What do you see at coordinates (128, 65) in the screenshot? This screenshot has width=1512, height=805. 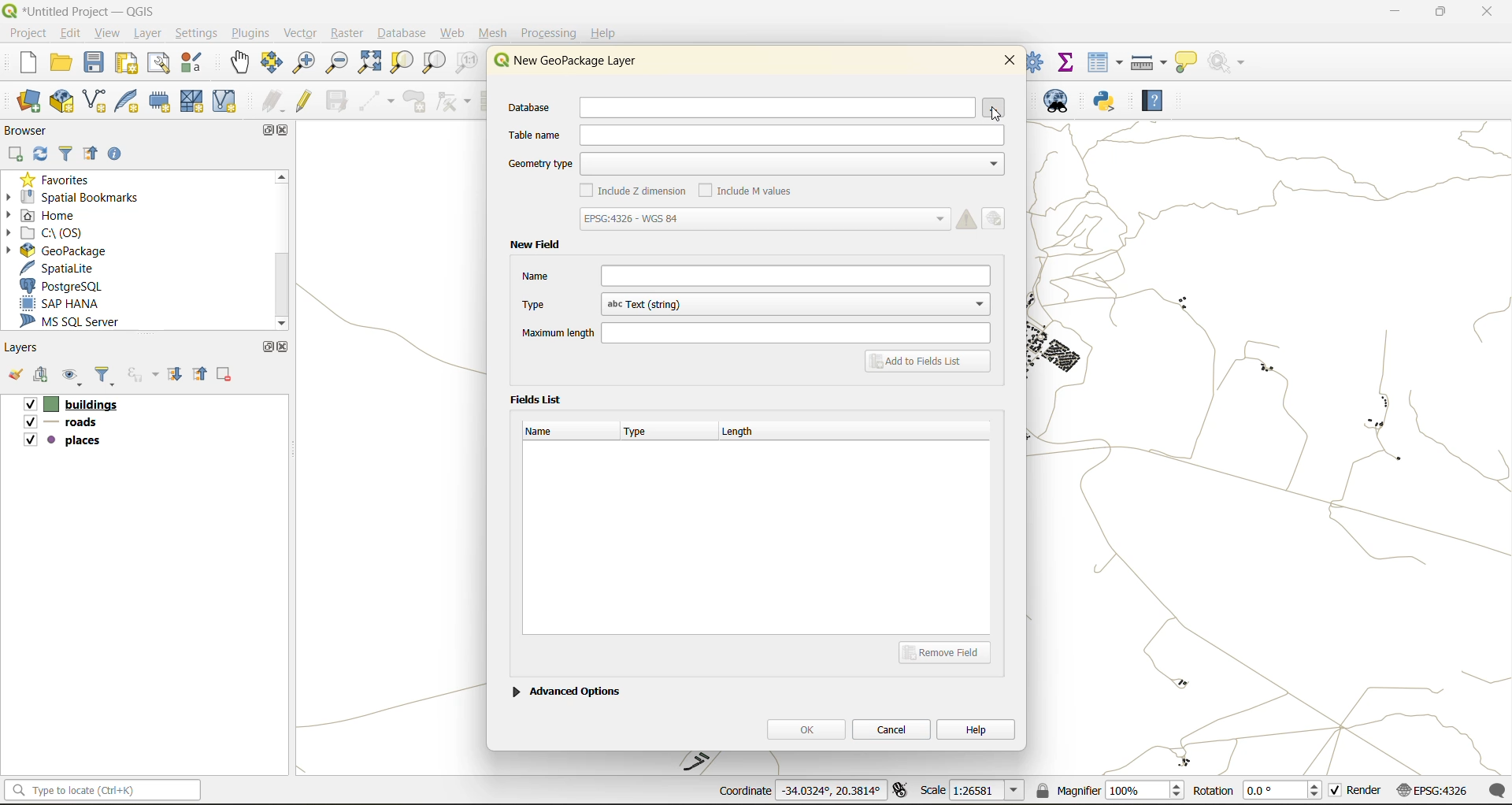 I see `print layout` at bounding box center [128, 65].